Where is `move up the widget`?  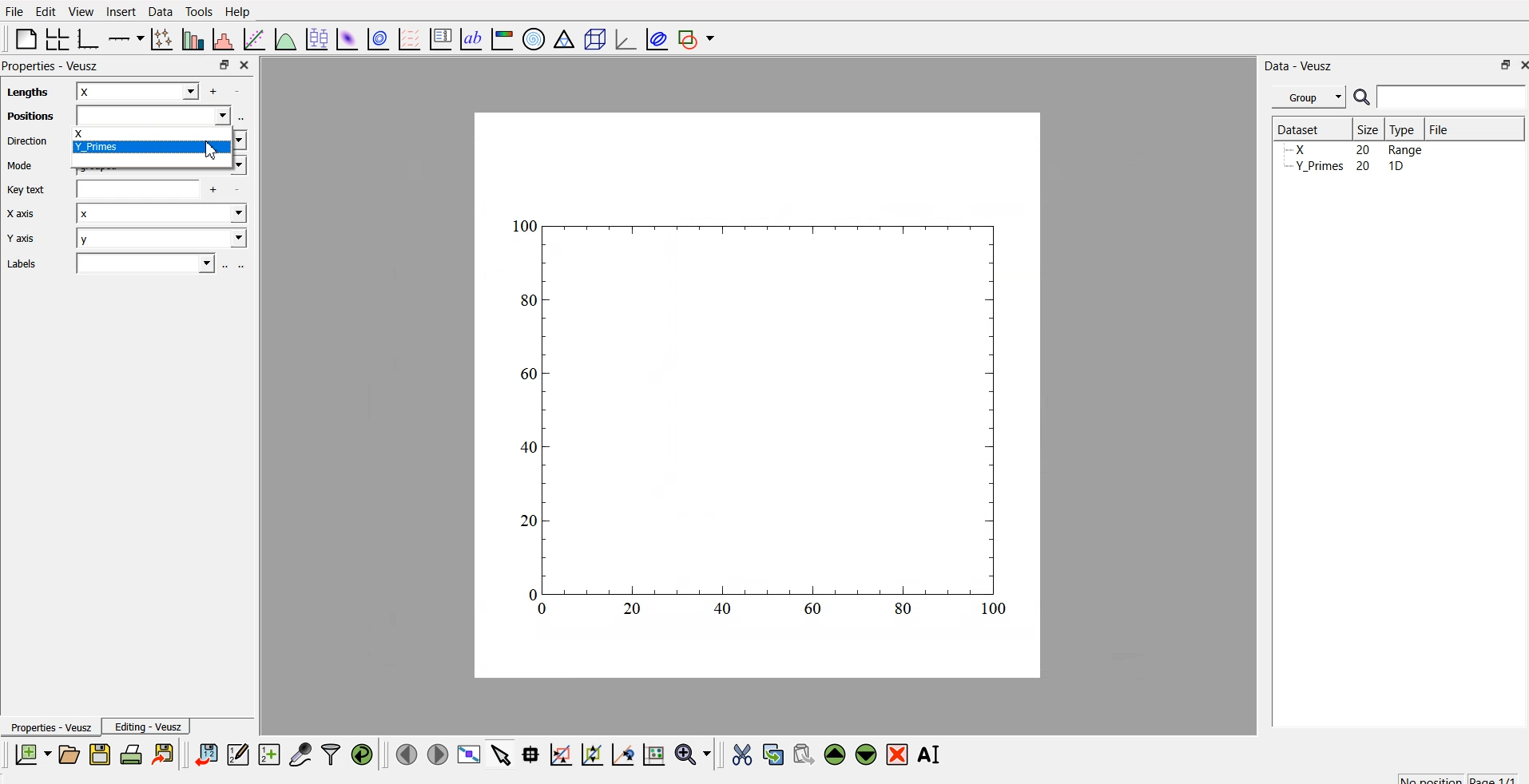 move up the widget is located at coordinates (833, 754).